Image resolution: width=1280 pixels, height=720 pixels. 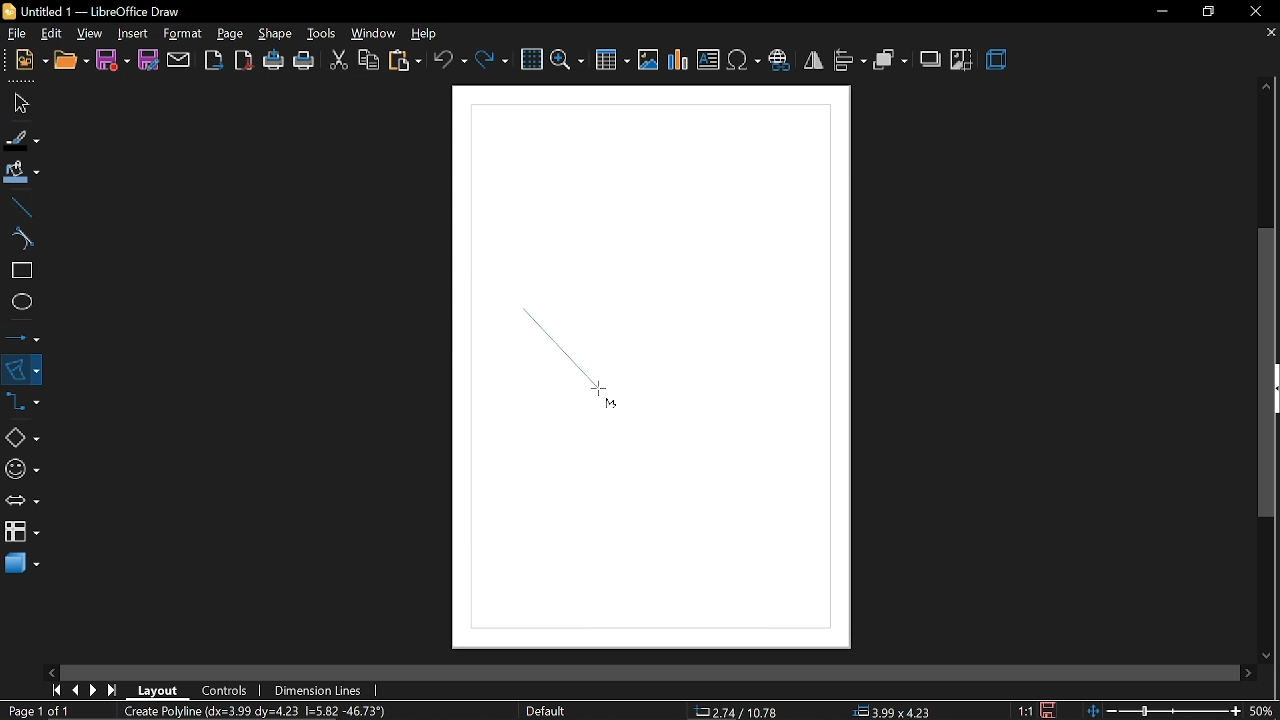 I want to click on redo, so click(x=491, y=58).